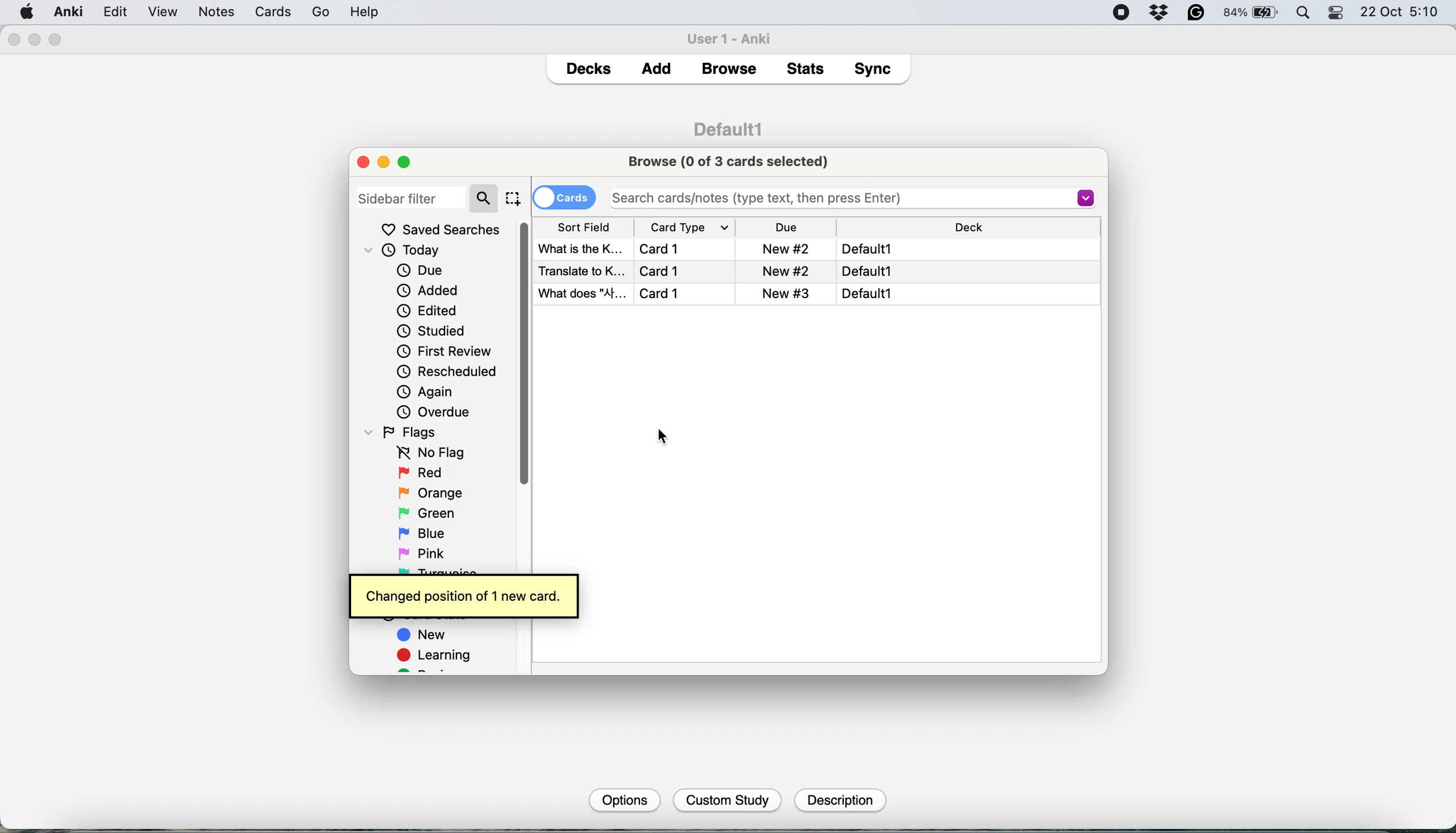  What do you see at coordinates (676, 293) in the screenshot?
I see `Card 1` at bounding box center [676, 293].